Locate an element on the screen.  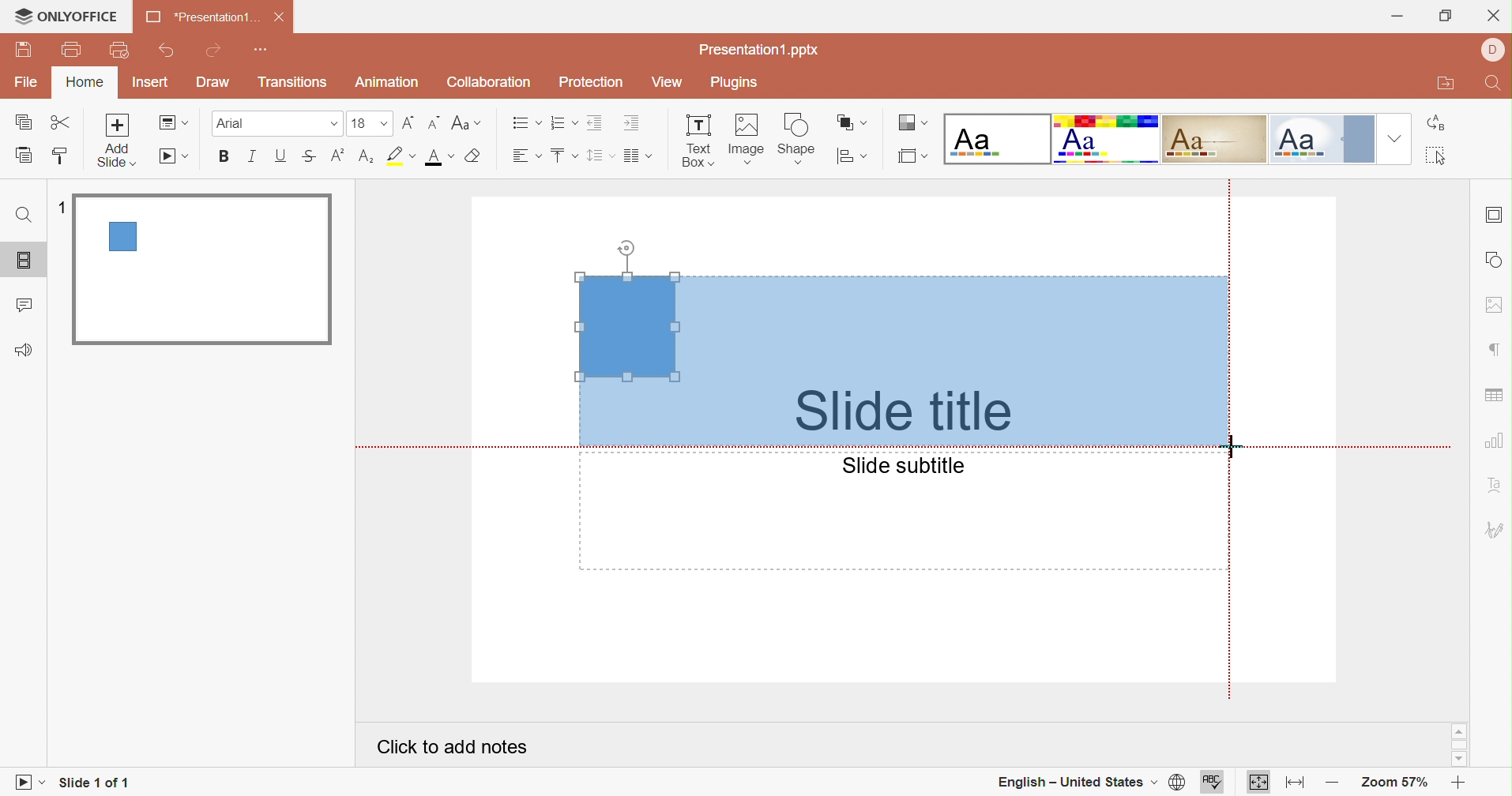
Fit to width is located at coordinates (1296, 784).